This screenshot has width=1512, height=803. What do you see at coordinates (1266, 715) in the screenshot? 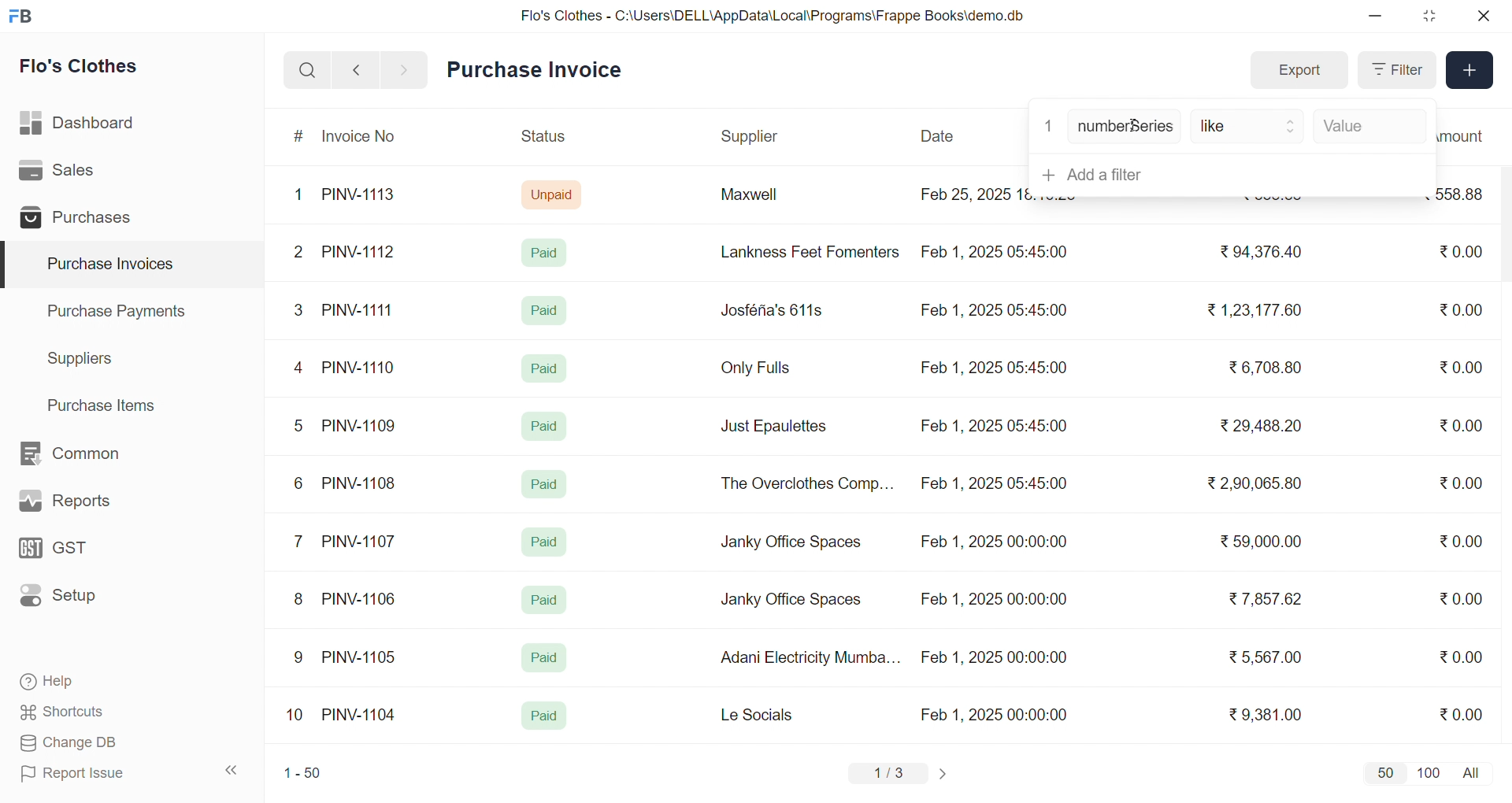
I see `₹9,381.00` at bounding box center [1266, 715].